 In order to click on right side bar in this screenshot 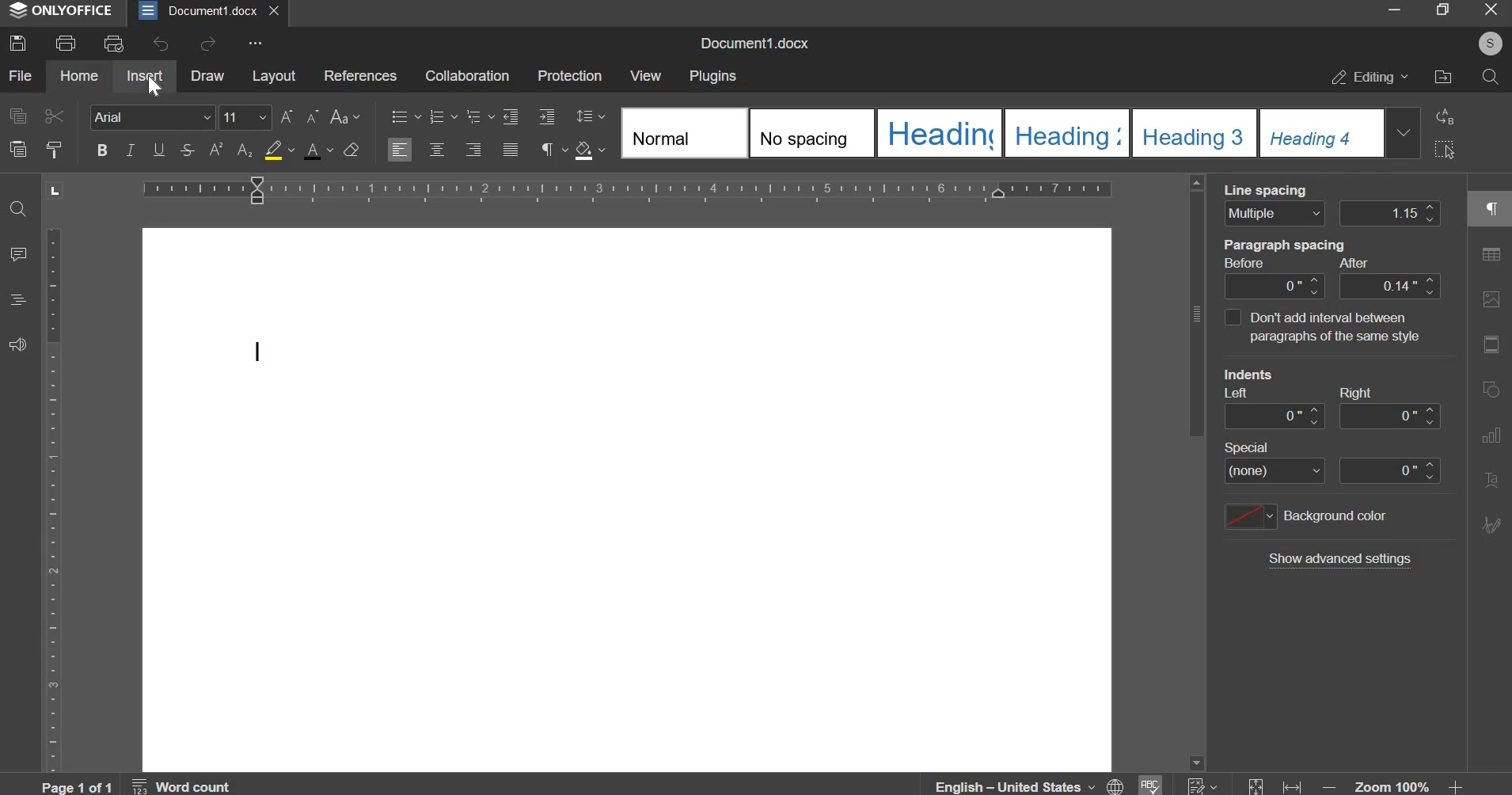, I will do `click(1487, 363)`.